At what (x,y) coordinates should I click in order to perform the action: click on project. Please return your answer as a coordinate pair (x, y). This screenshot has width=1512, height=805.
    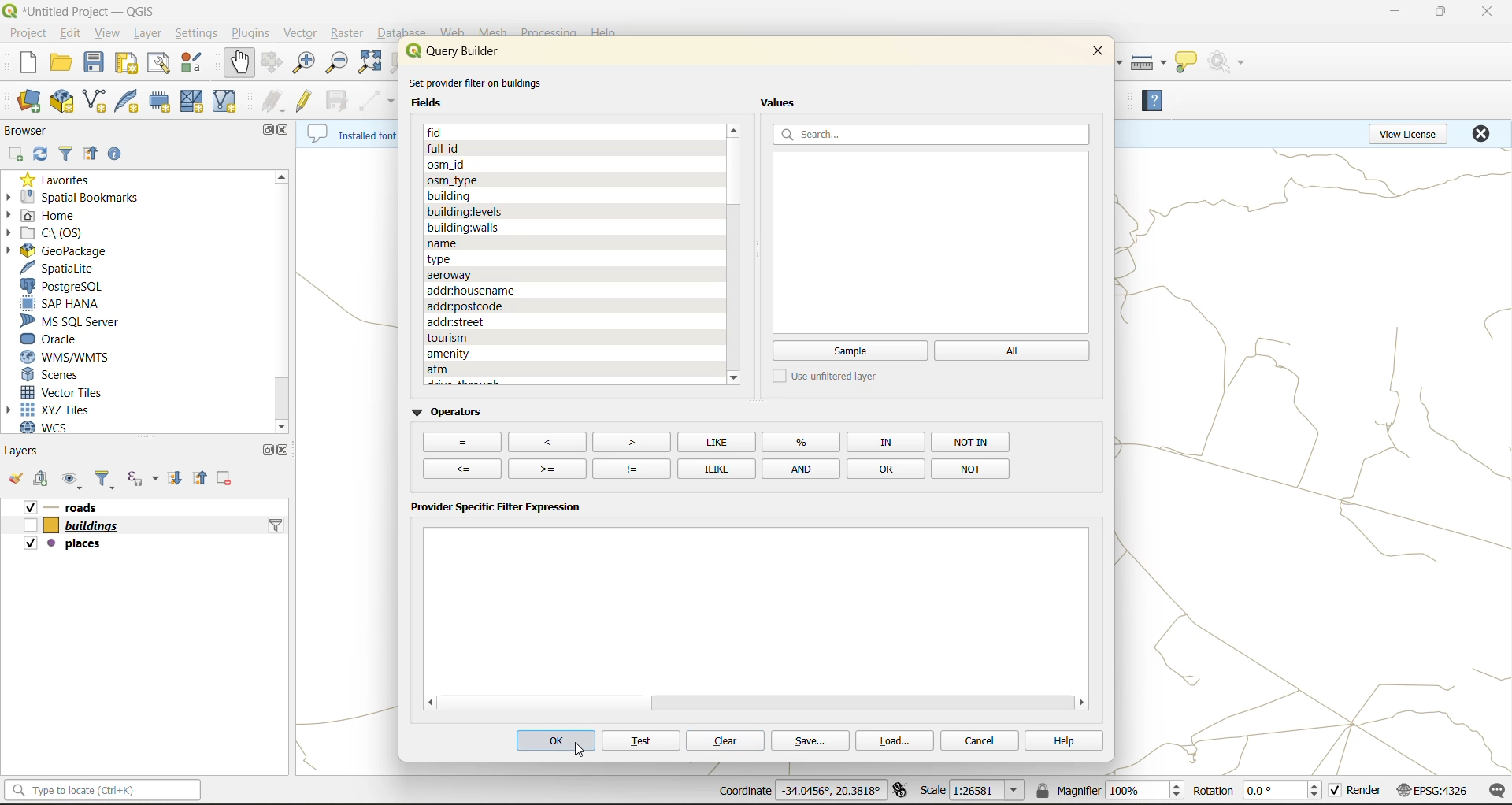
    Looking at the image, I should click on (28, 35).